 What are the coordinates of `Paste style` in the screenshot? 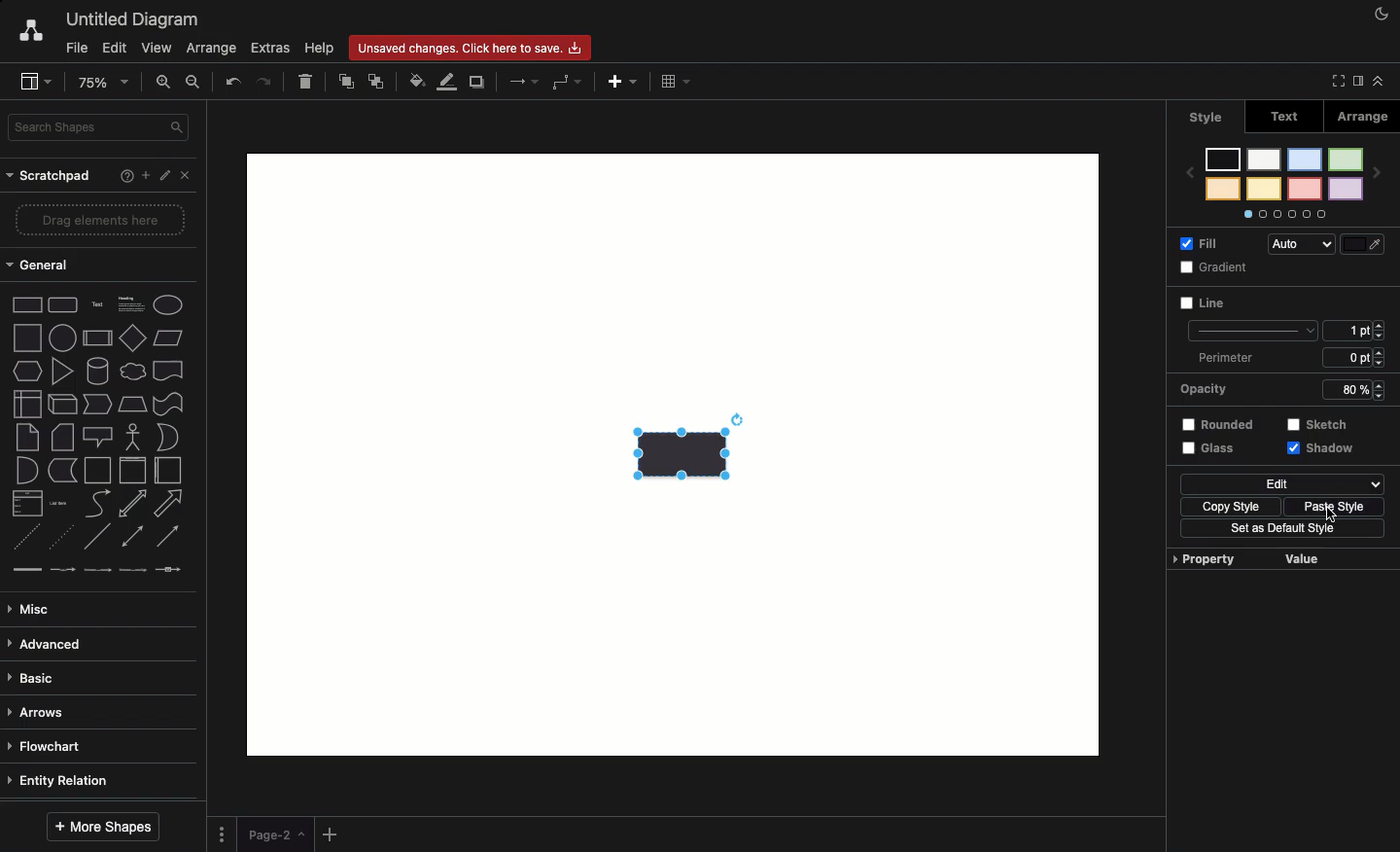 It's located at (1329, 505).